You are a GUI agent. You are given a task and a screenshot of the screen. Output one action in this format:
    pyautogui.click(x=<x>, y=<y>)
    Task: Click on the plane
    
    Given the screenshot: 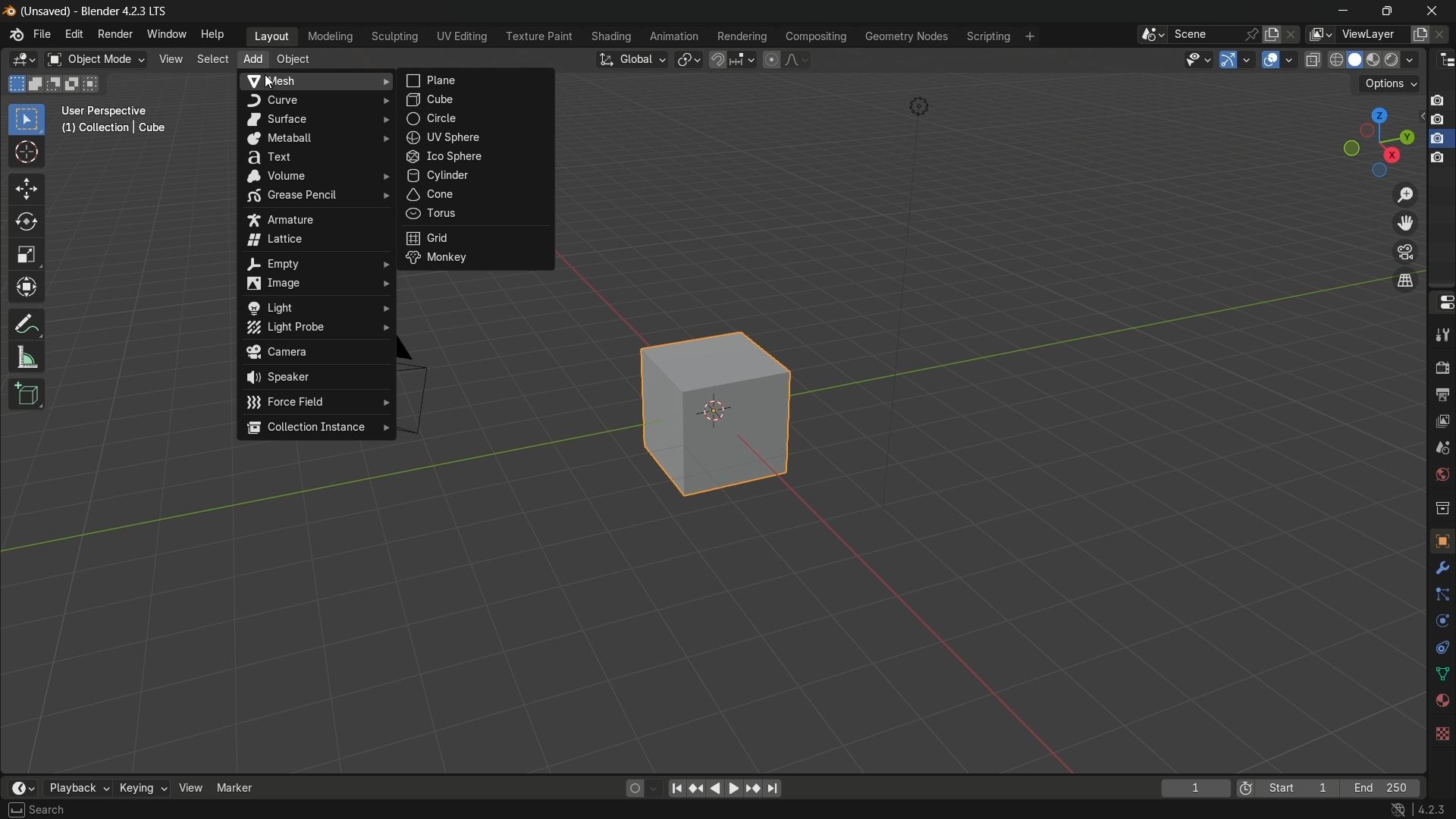 What is the action you would take?
    pyautogui.click(x=479, y=80)
    